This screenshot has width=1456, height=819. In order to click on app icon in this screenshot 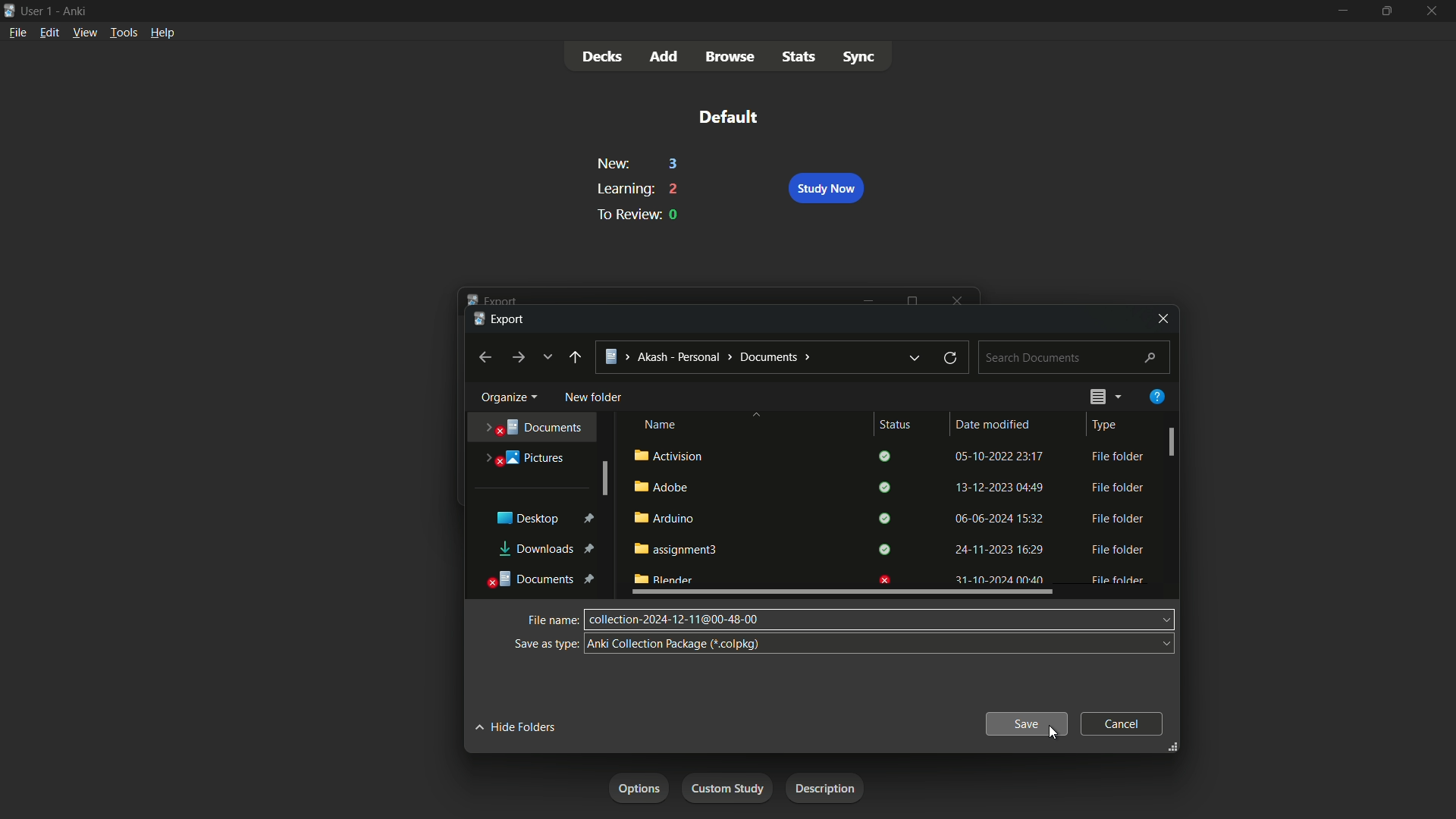, I will do `click(9, 11)`.